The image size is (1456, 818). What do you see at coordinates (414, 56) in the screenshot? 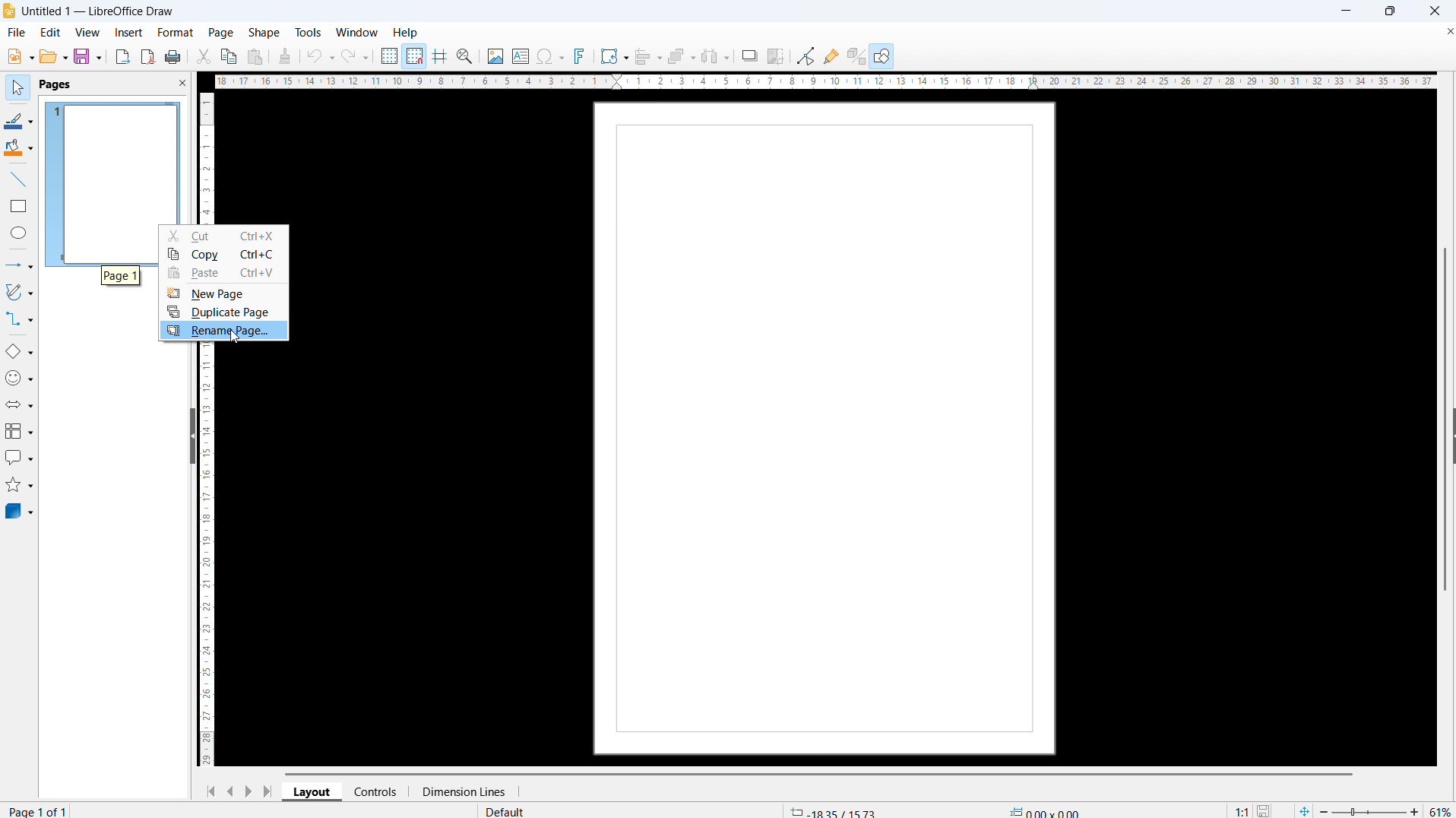
I see `Snap to grid ` at bounding box center [414, 56].